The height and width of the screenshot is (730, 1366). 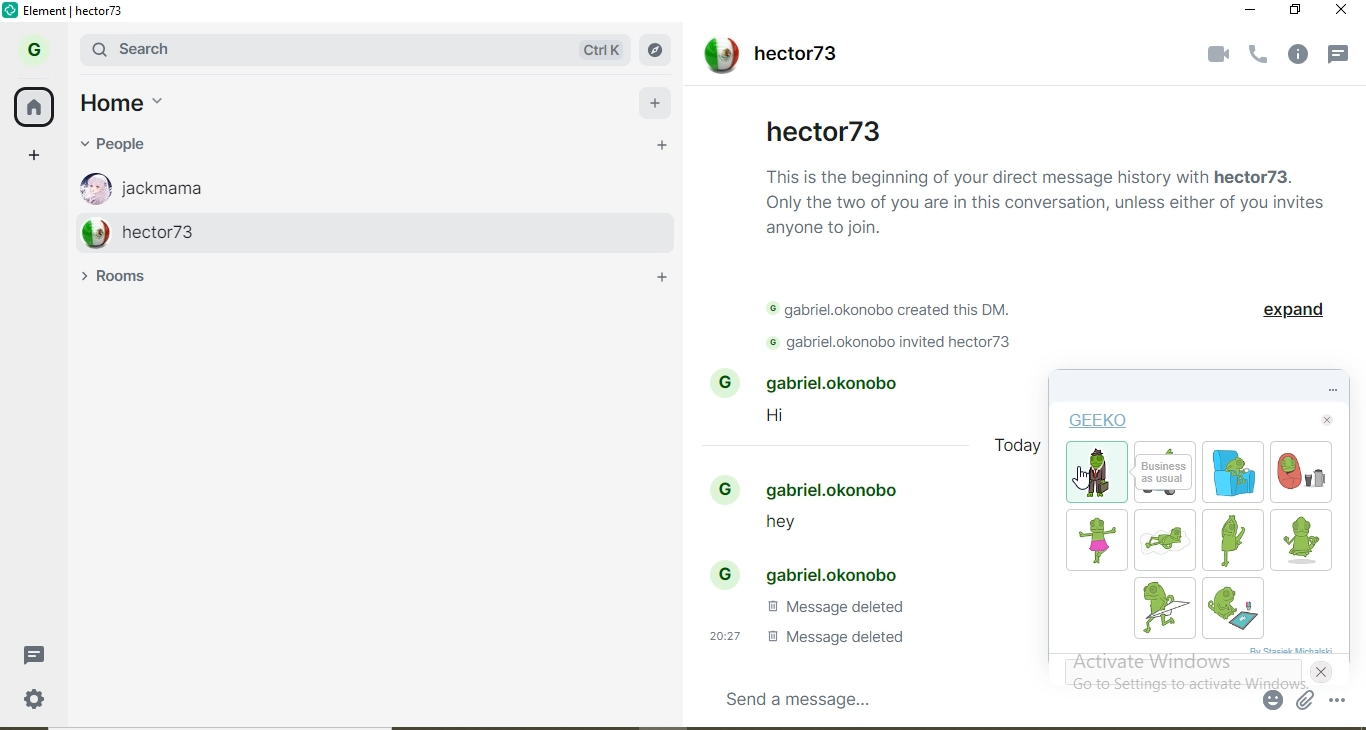 What do you see at coordinates (768, 57) in the screenshot?
I see `hector73` at bounding box center [768, 57].